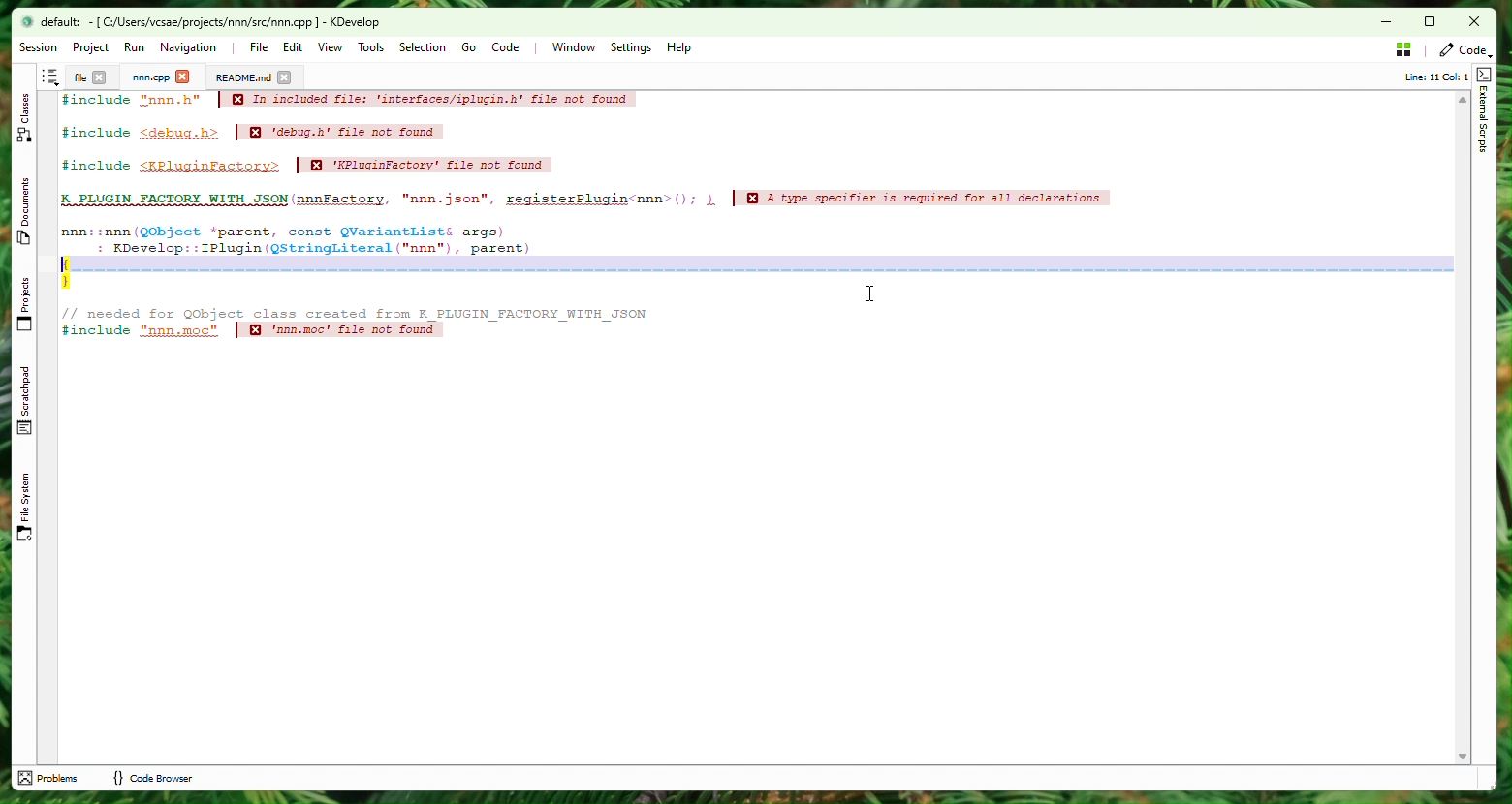 The image size is (1512, 804). Describe the element at coordinates (680, 49) in the screenshot. I see `Help` at that location.